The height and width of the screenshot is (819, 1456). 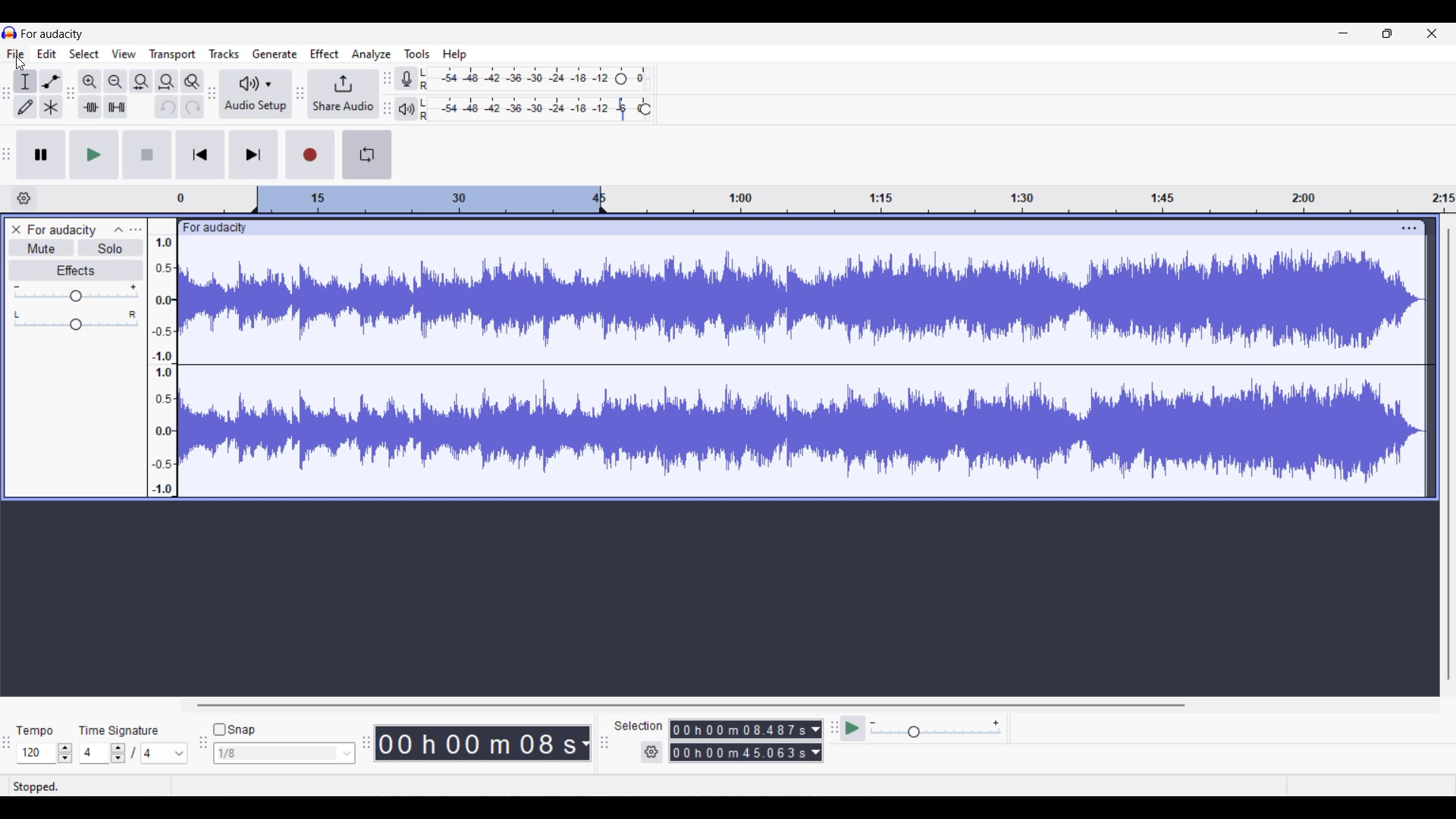 I want to click on Input time signature, so click(x=93, y=753).